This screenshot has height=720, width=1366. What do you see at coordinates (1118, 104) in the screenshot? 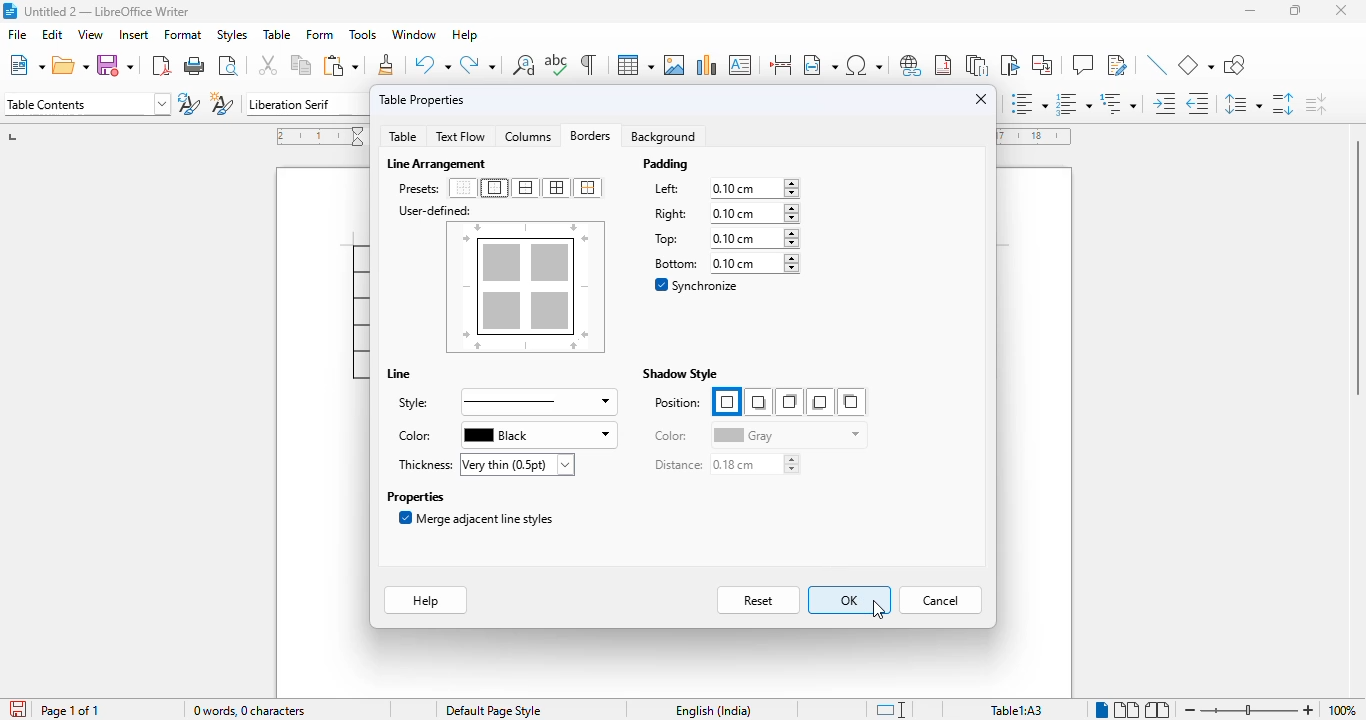
I see `select outline format` at bounding box center [1118, 104].